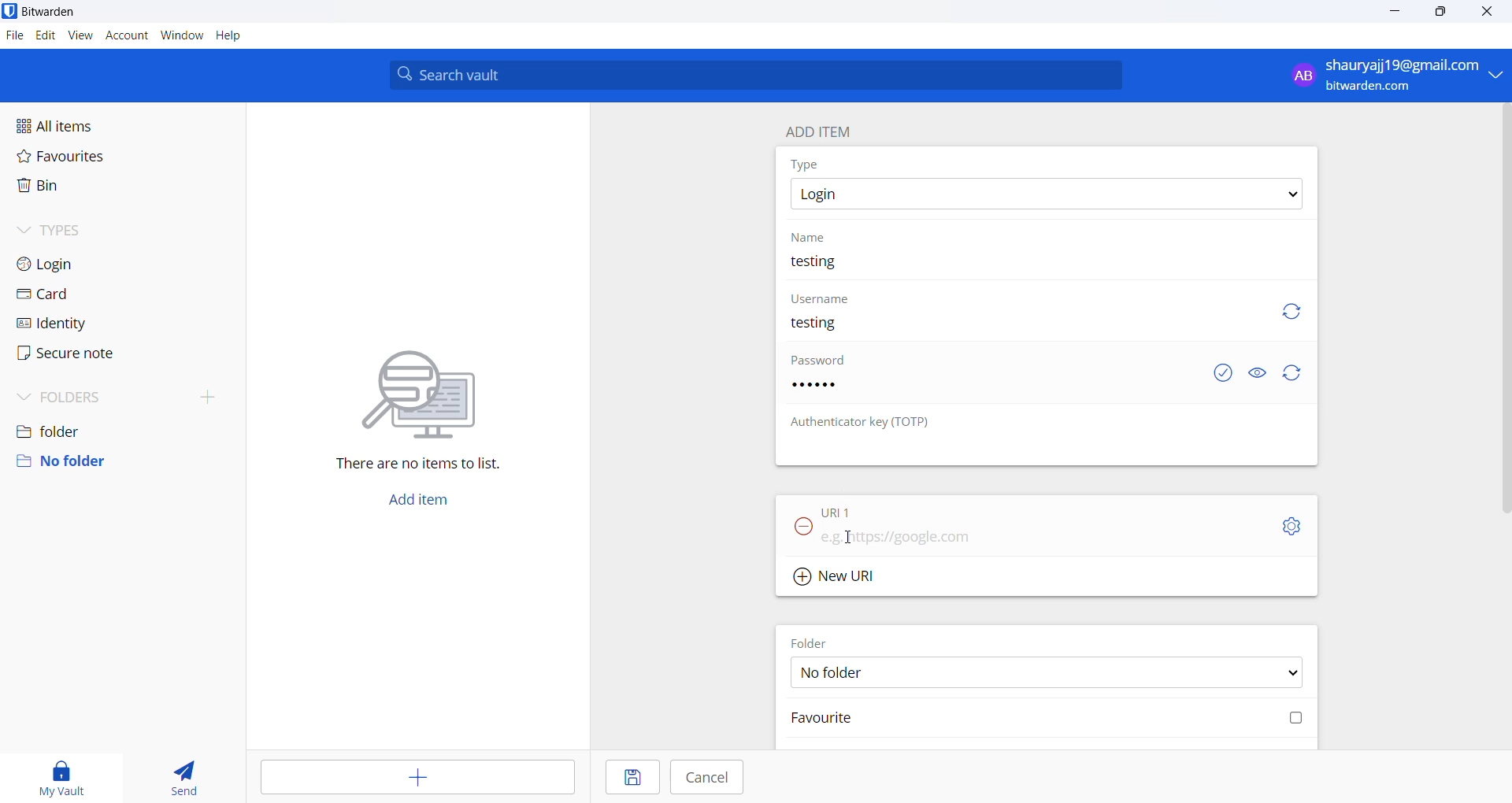 This screenshot has height=803, width=1512. What do you see at coordinates (80, 354) in the screenshot?
I see `secure note` at bounding box center [80, 354].